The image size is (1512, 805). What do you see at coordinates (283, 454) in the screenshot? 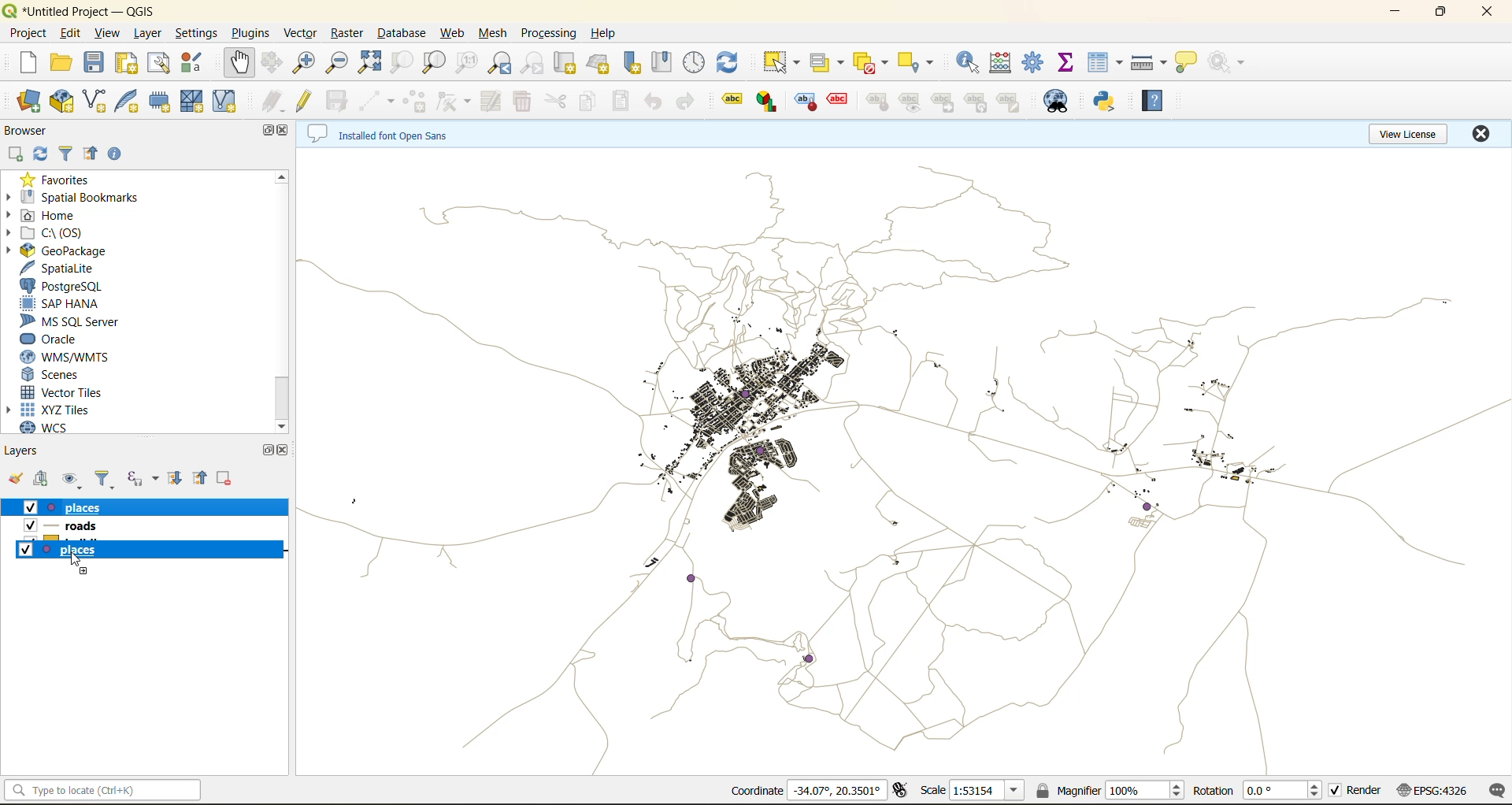
I see `close` at bounding box center [283, 454].